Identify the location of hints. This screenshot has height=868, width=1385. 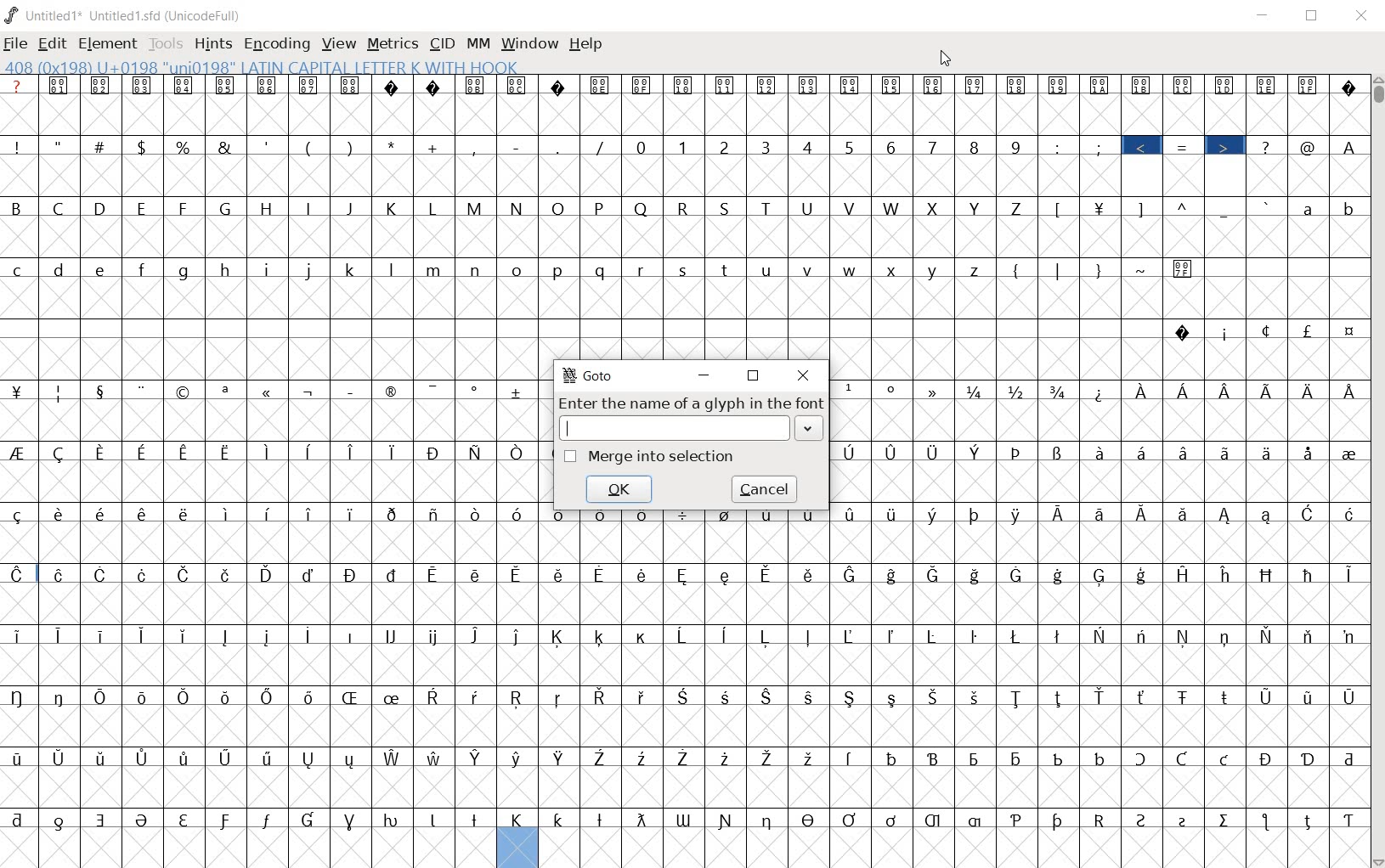
(213, 42).